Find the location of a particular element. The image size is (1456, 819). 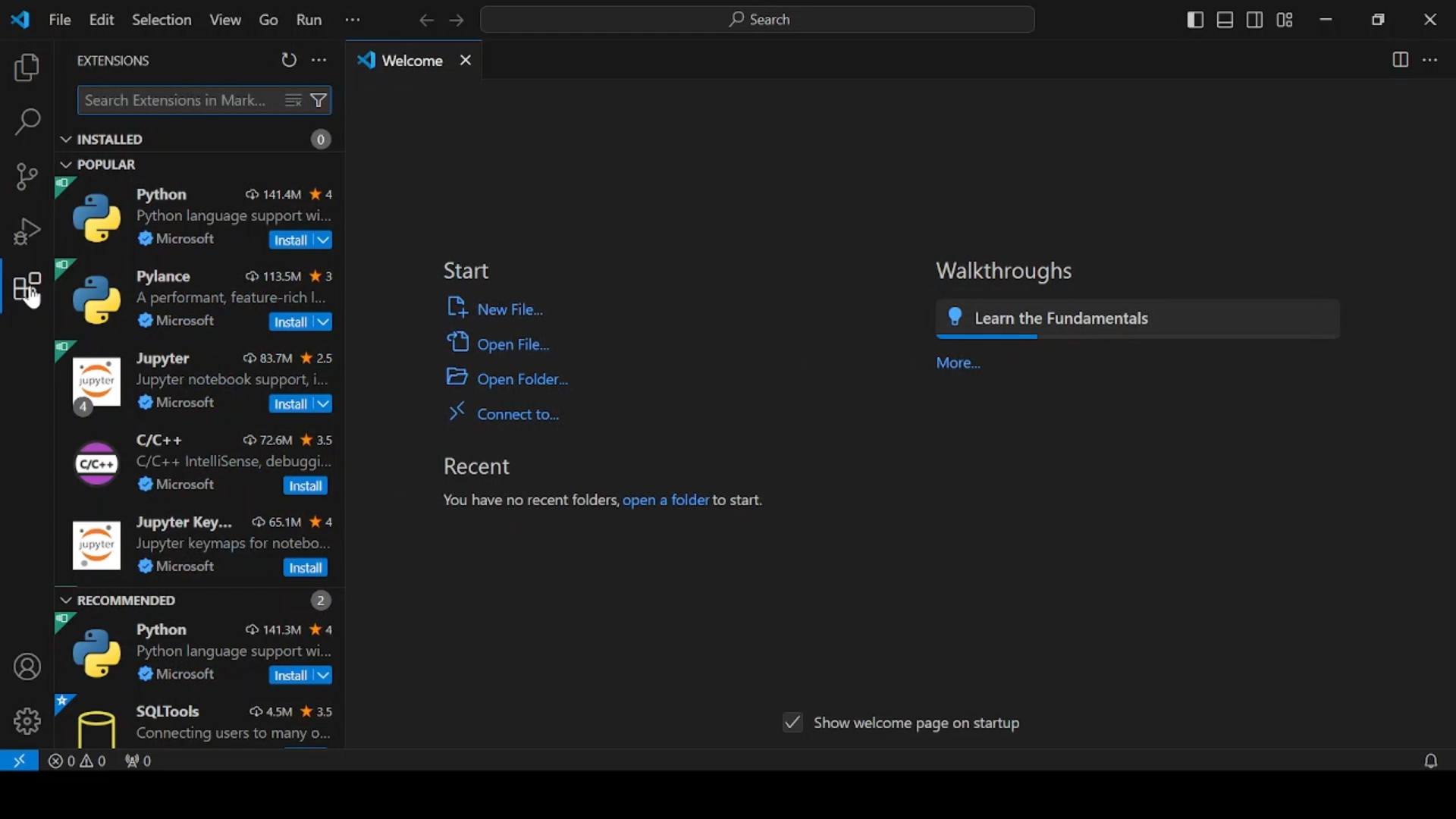

cursor is located at coordinates (30, 306).